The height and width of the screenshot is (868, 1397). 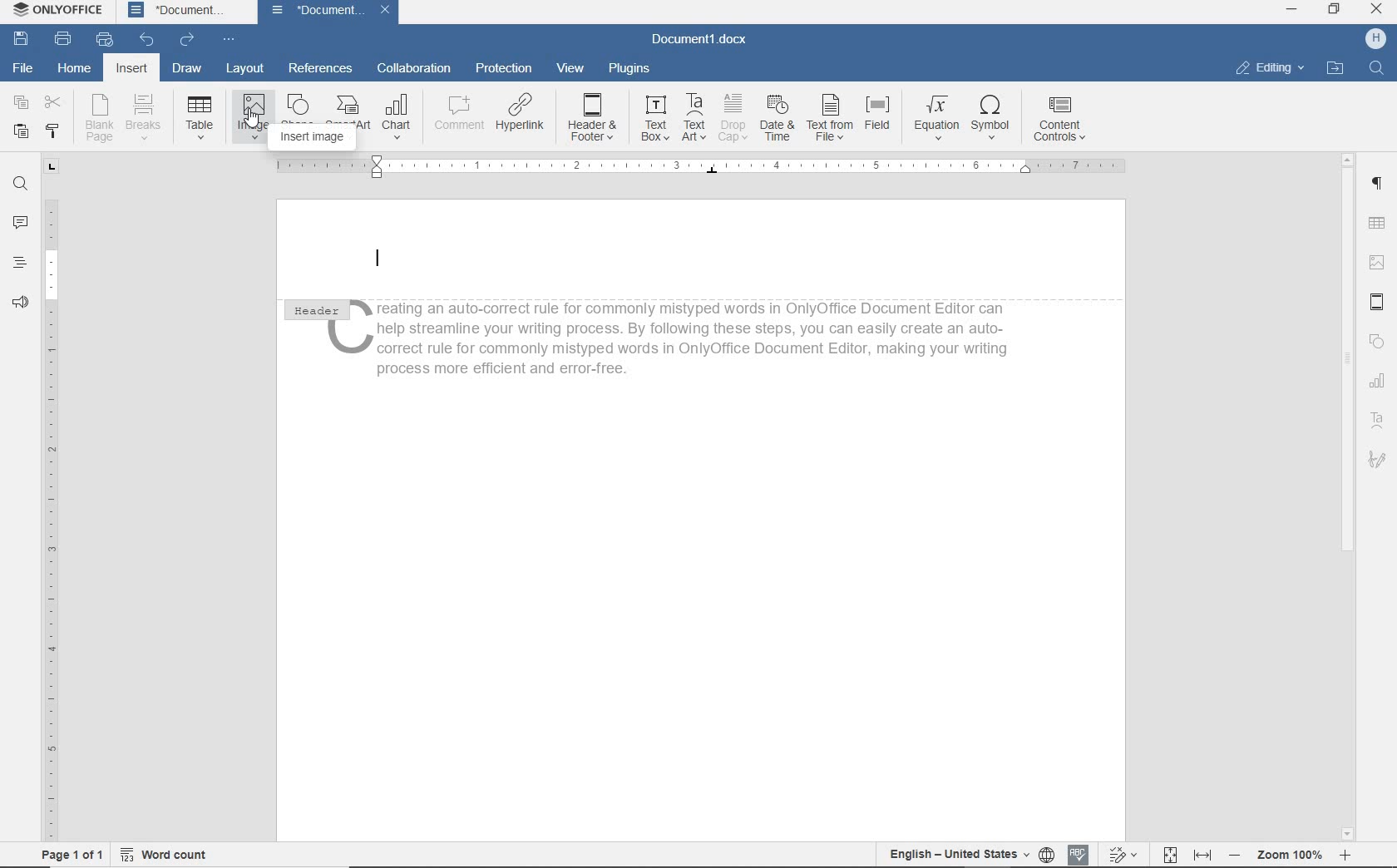 I want to click on Word count, so click(x=162, y=855).